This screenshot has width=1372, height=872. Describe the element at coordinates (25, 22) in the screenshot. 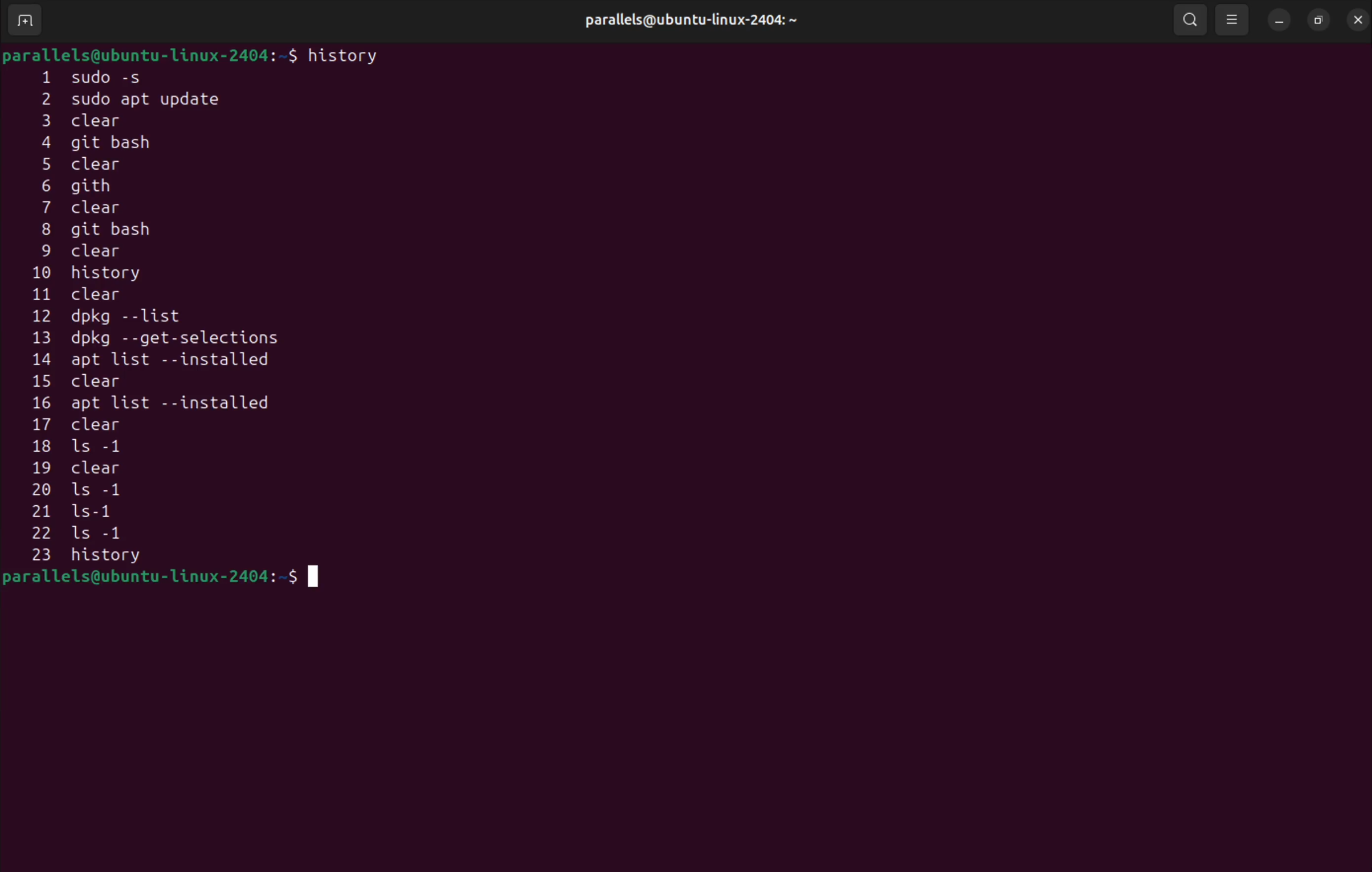

I see `add terminal` at that location.